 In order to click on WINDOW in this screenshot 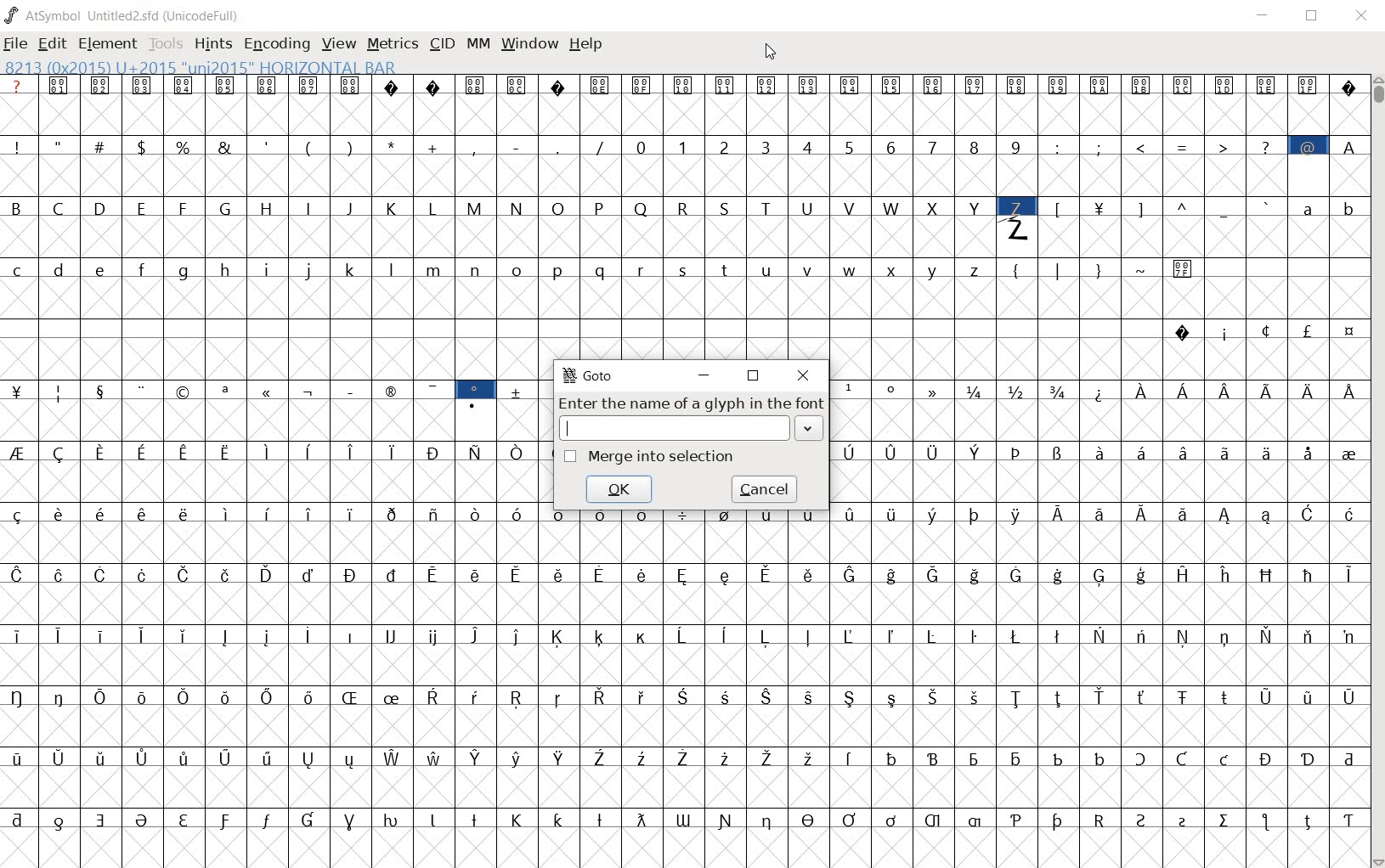, I will do `click(531, 43)`.